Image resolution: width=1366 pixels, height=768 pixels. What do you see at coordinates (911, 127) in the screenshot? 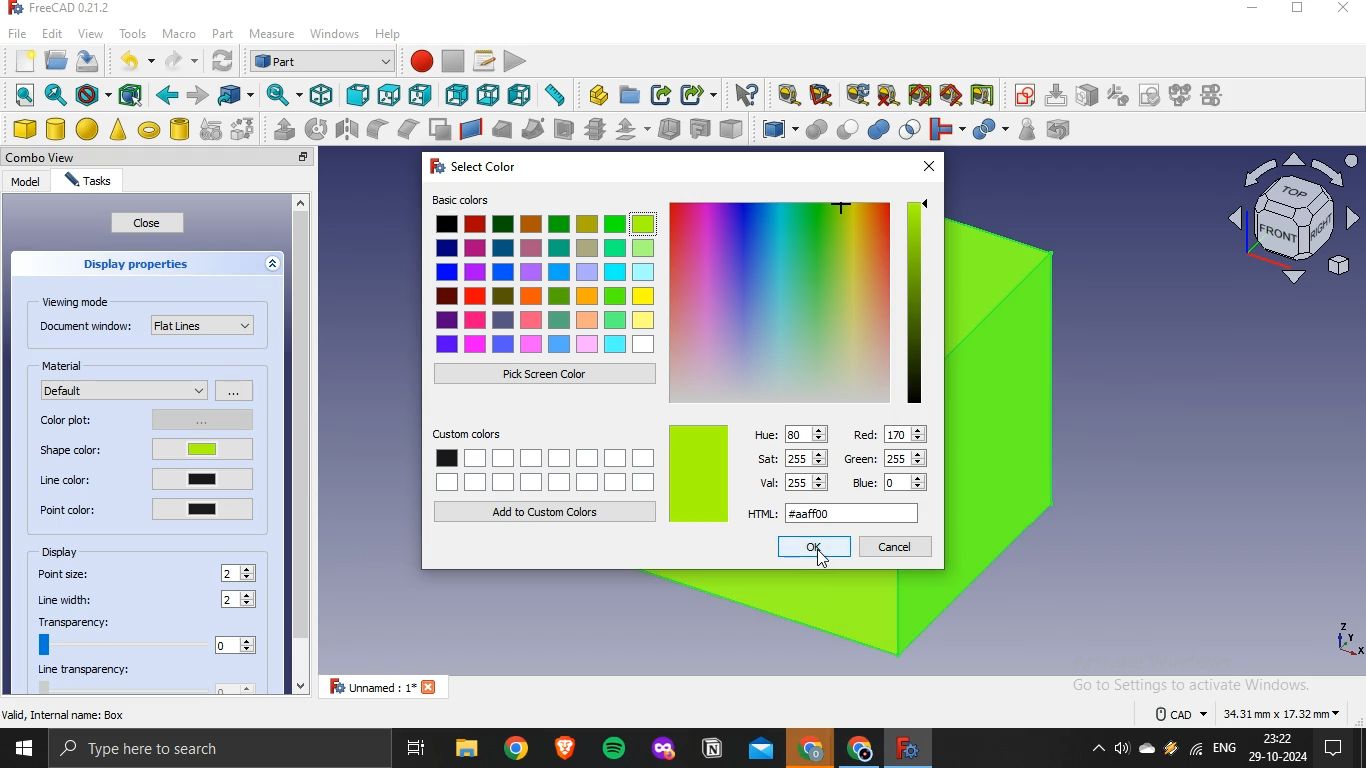
I see `intersection` at bounding box center [911, 127].